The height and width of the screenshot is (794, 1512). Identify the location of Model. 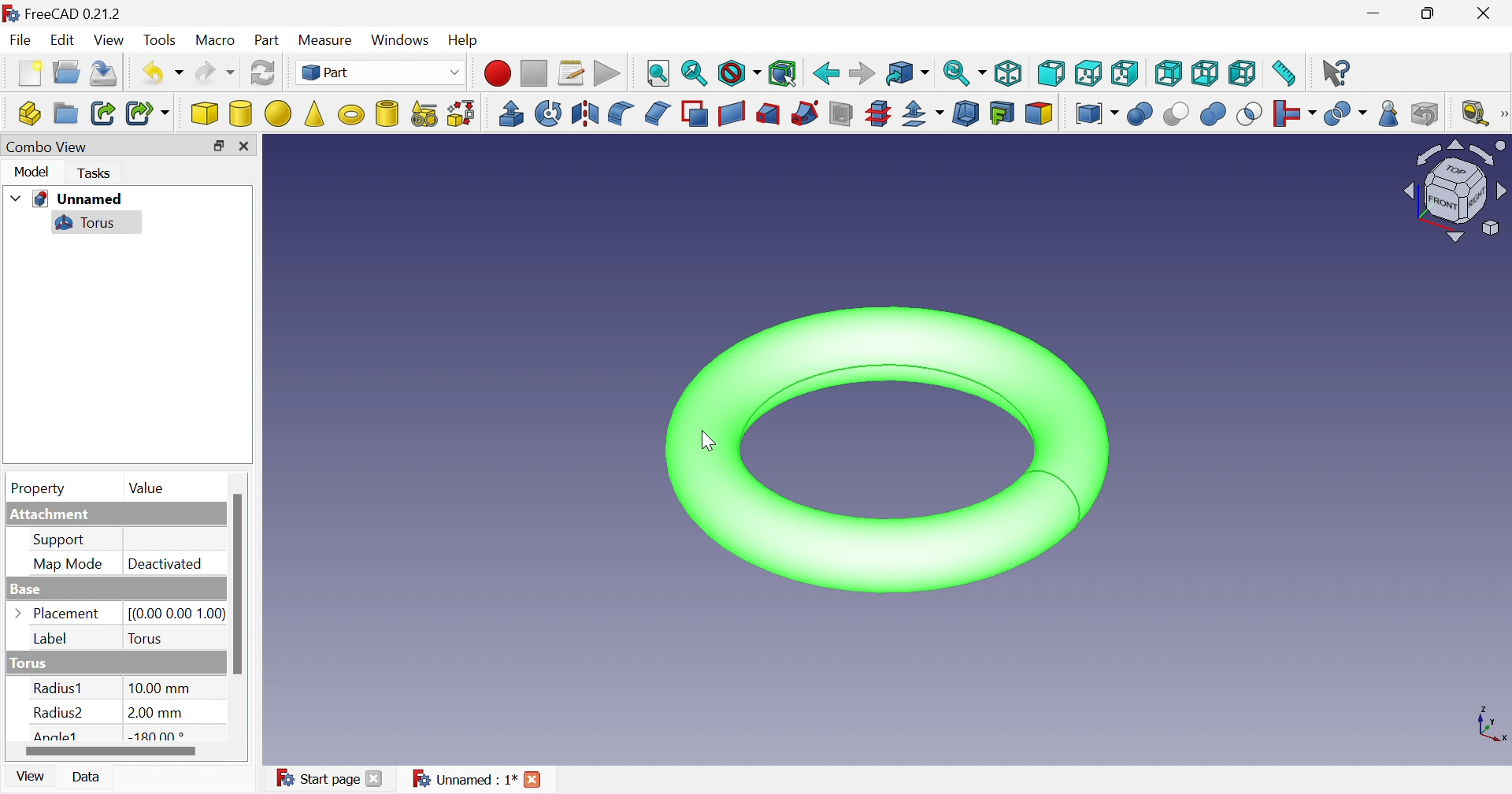
(30, 173).